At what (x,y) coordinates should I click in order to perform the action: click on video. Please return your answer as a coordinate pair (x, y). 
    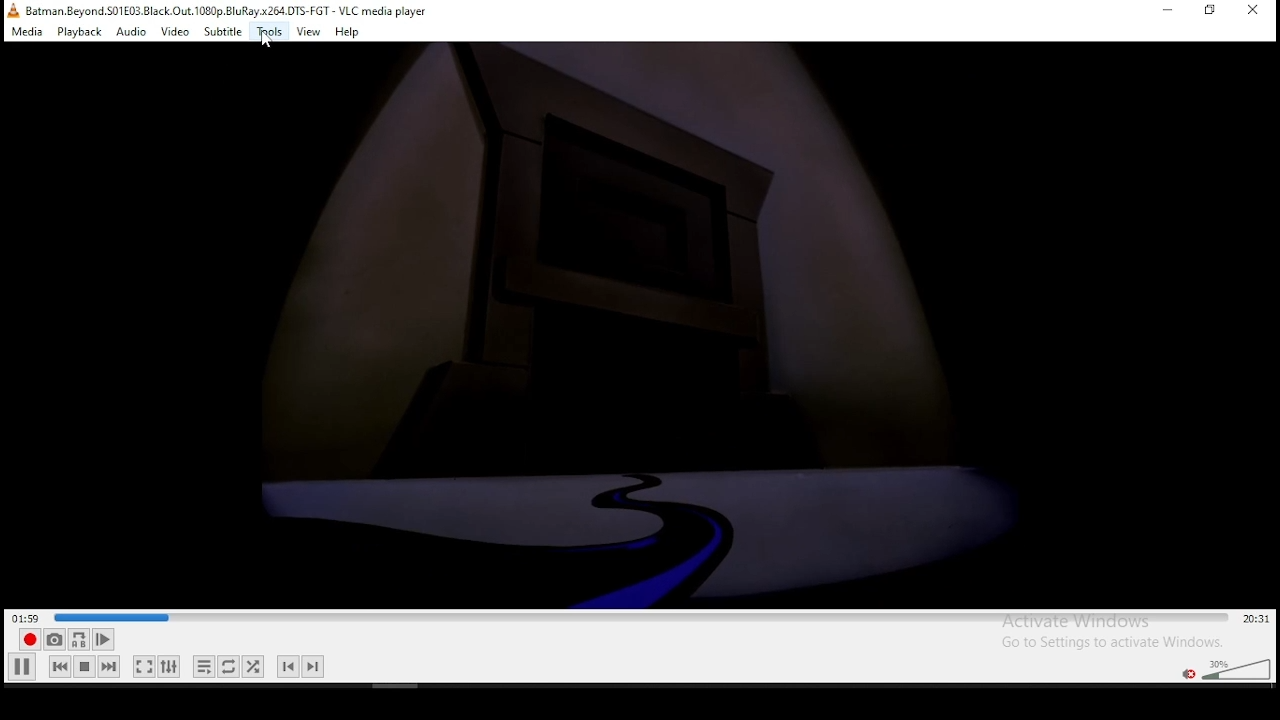
    Looking at the image, I should click on (174, 32).